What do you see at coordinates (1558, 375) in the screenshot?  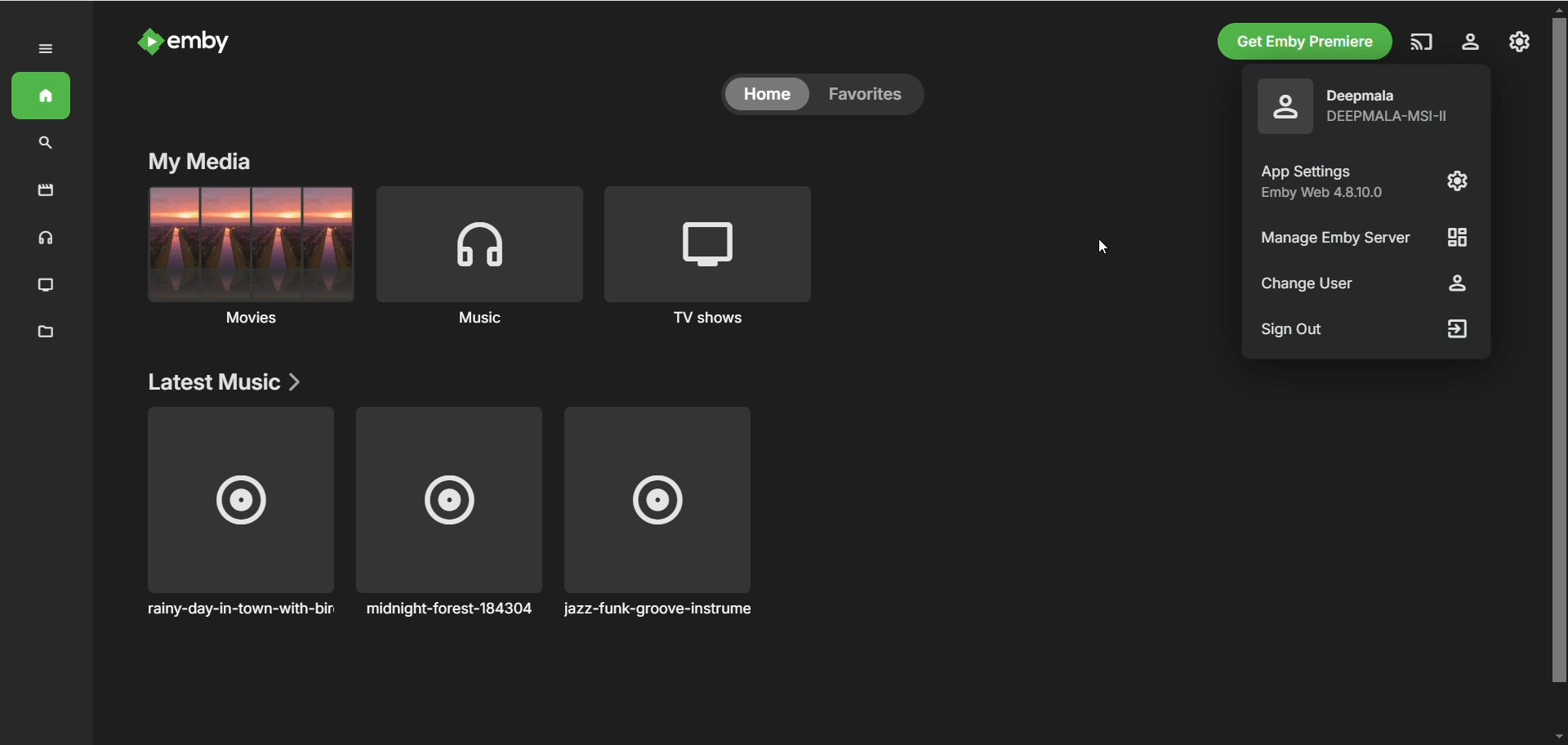 I see `vertical scroll bar` at bounding box center [1558, 375].